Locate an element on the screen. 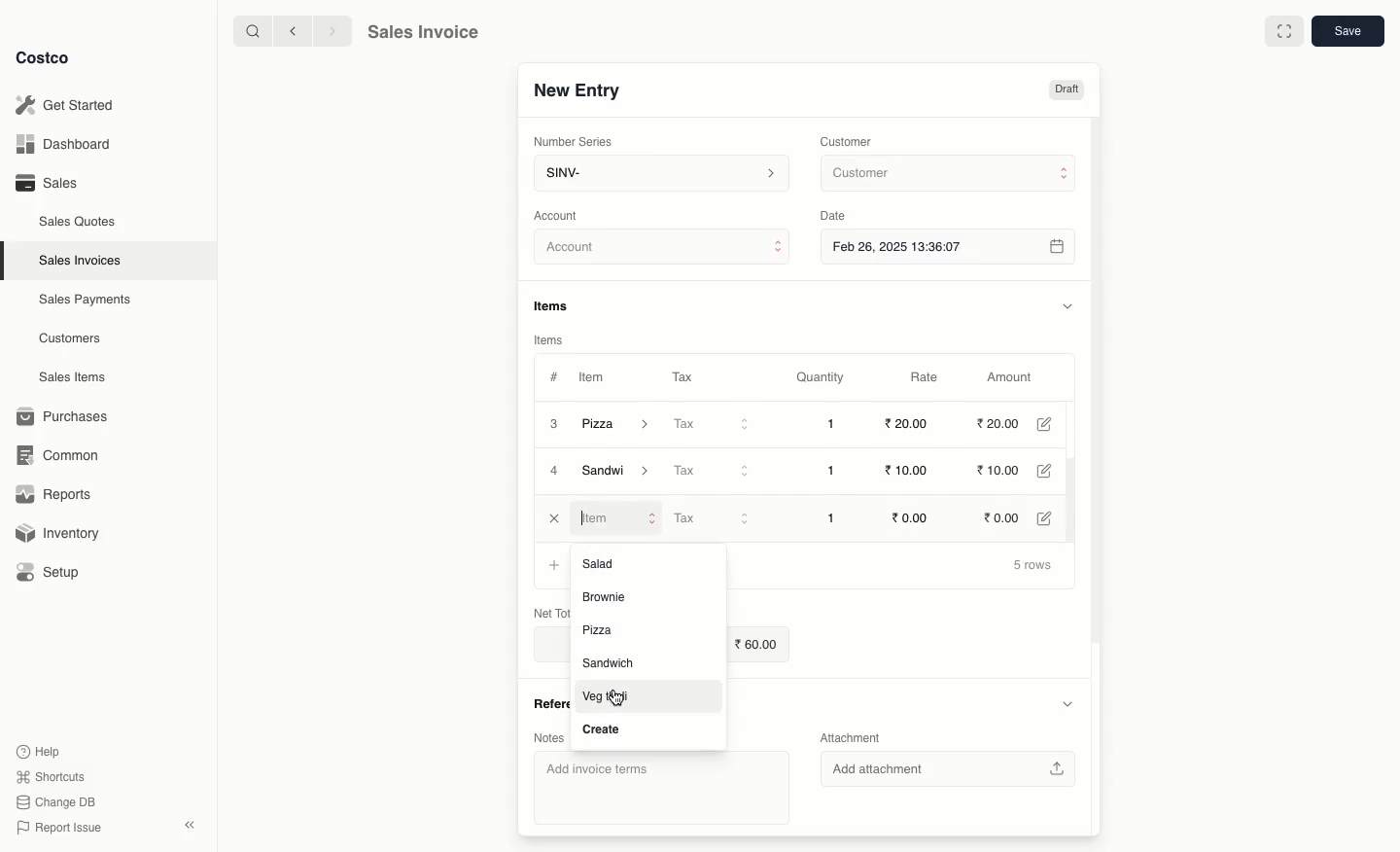  60.00 is located at coordinates (759, 645).